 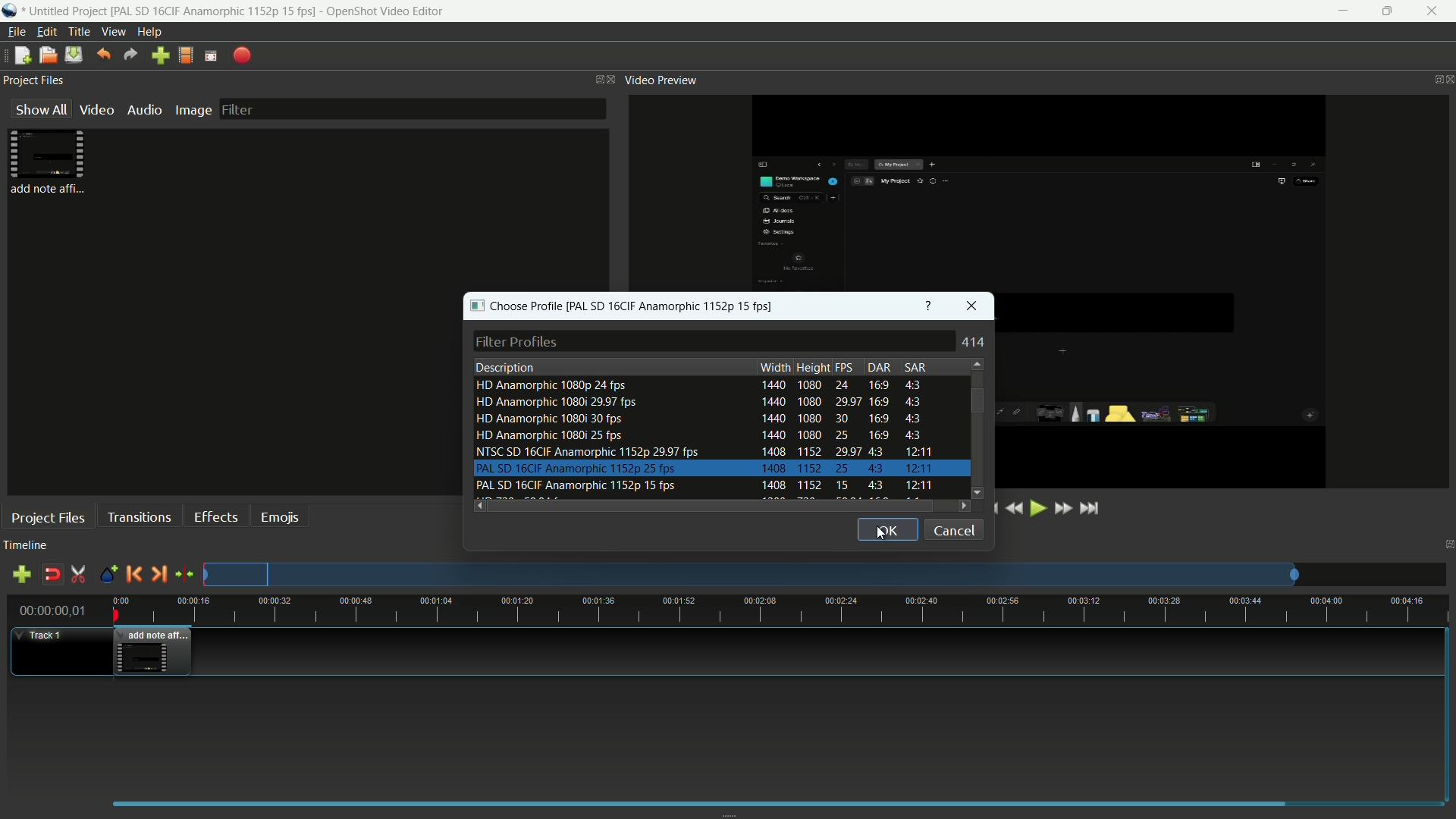 What do you see at coordinates (143, 108) in the screenshot?
I see `audio` at bounding box center [143, 108].